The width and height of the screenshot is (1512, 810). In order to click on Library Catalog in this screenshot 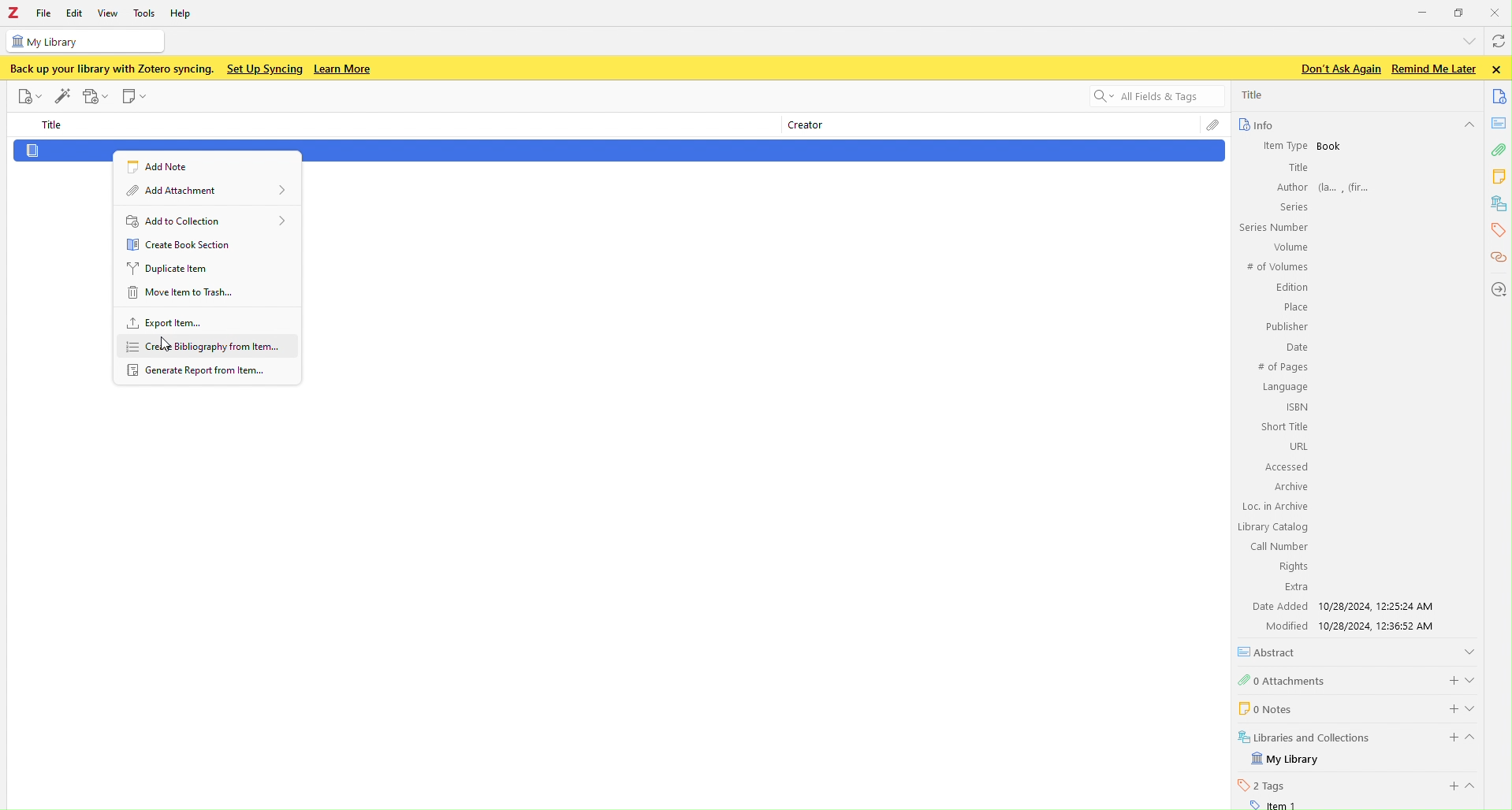, I will do `click(1274, 527)`.